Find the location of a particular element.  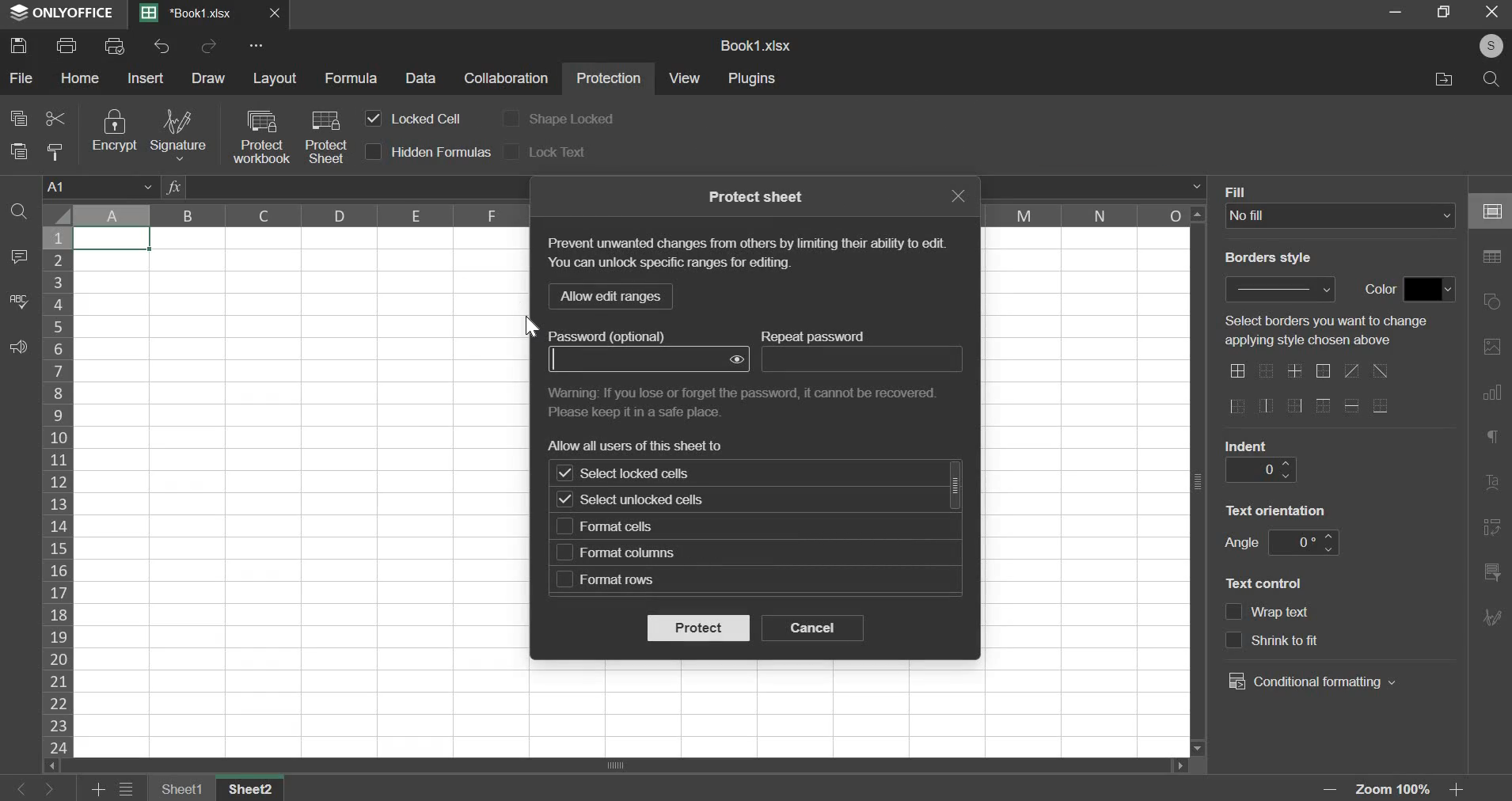

Close  is located at coordinates (276, 13).